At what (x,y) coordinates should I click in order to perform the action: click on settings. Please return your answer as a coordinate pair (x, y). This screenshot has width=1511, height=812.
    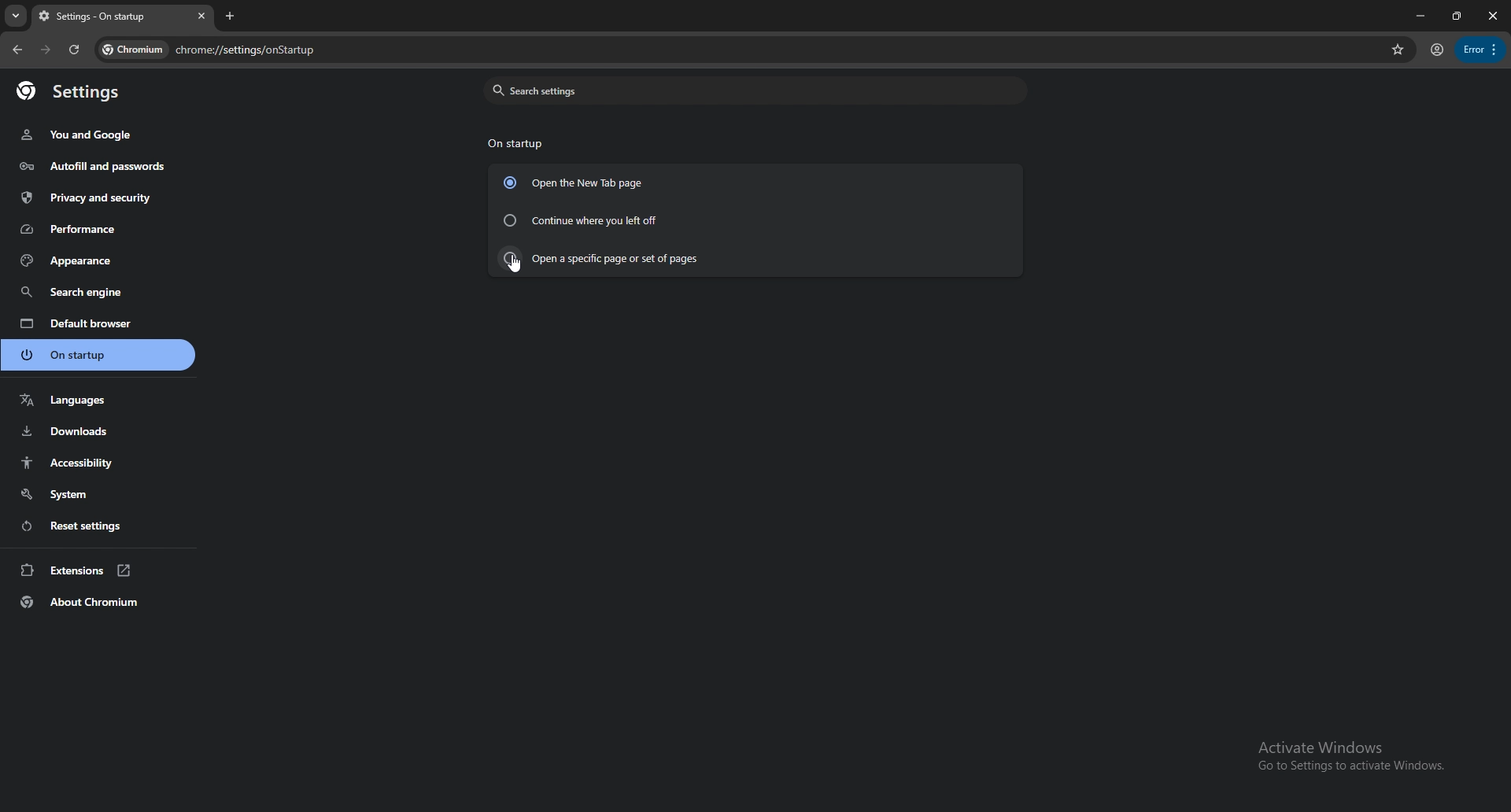
    Looking at the image, I should click on (80, 93).